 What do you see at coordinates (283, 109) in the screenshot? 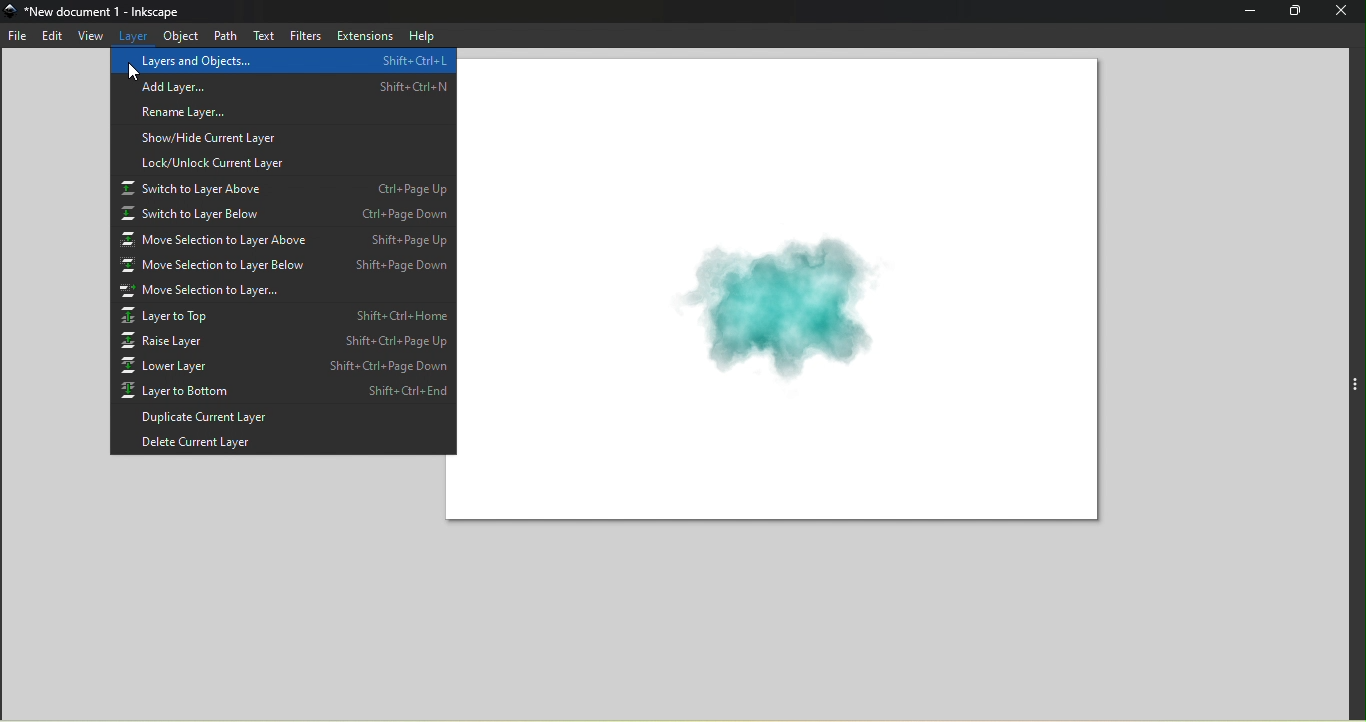
I see `Rename layer` at bounding box center [283, 109].